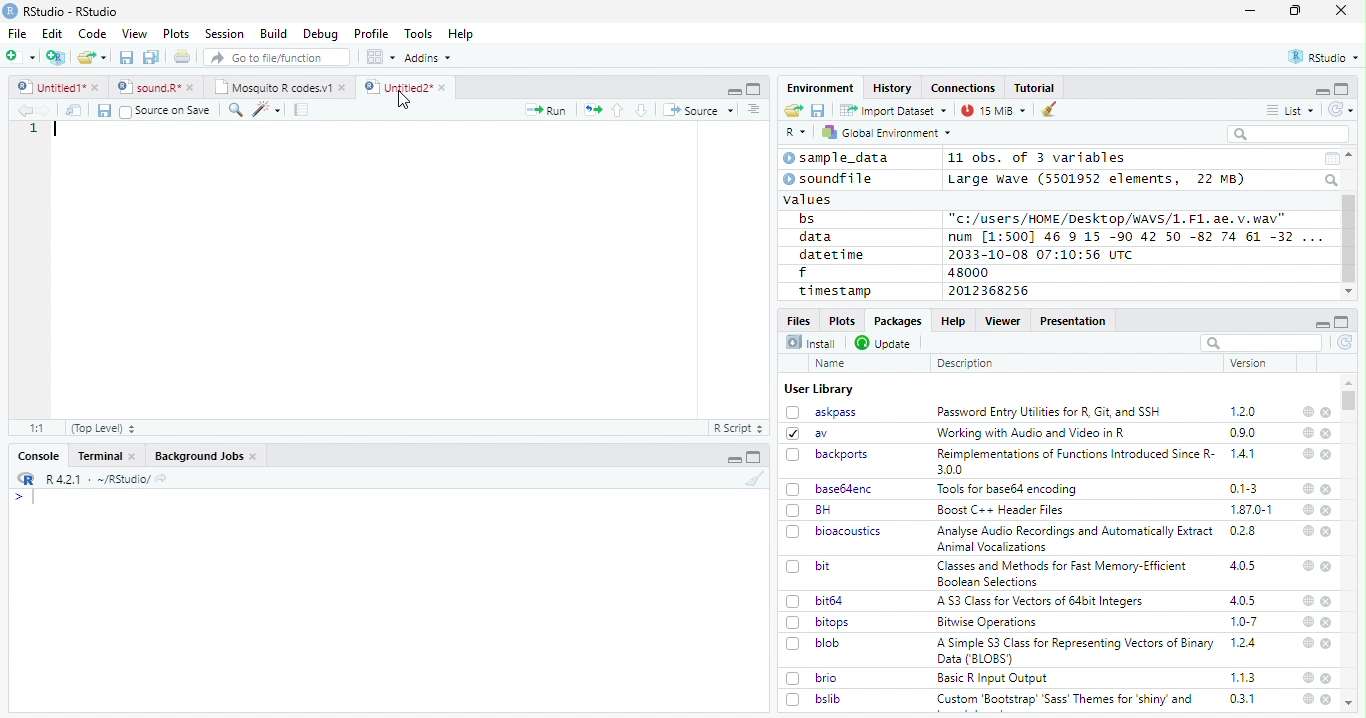  I want to click on bioacoustics, so click(834, 531).